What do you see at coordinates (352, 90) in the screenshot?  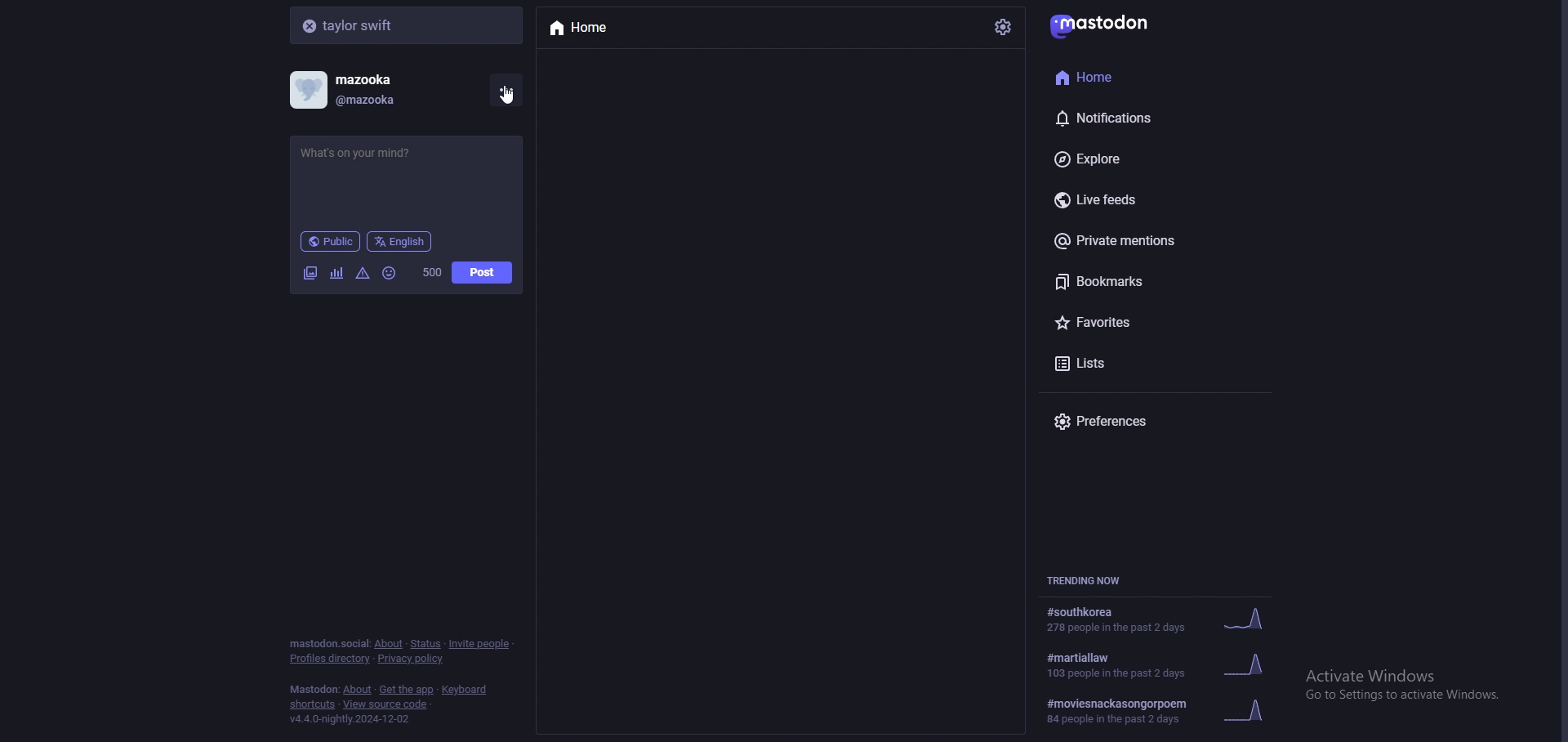 I see `profile` at bounding box center [352, 90].